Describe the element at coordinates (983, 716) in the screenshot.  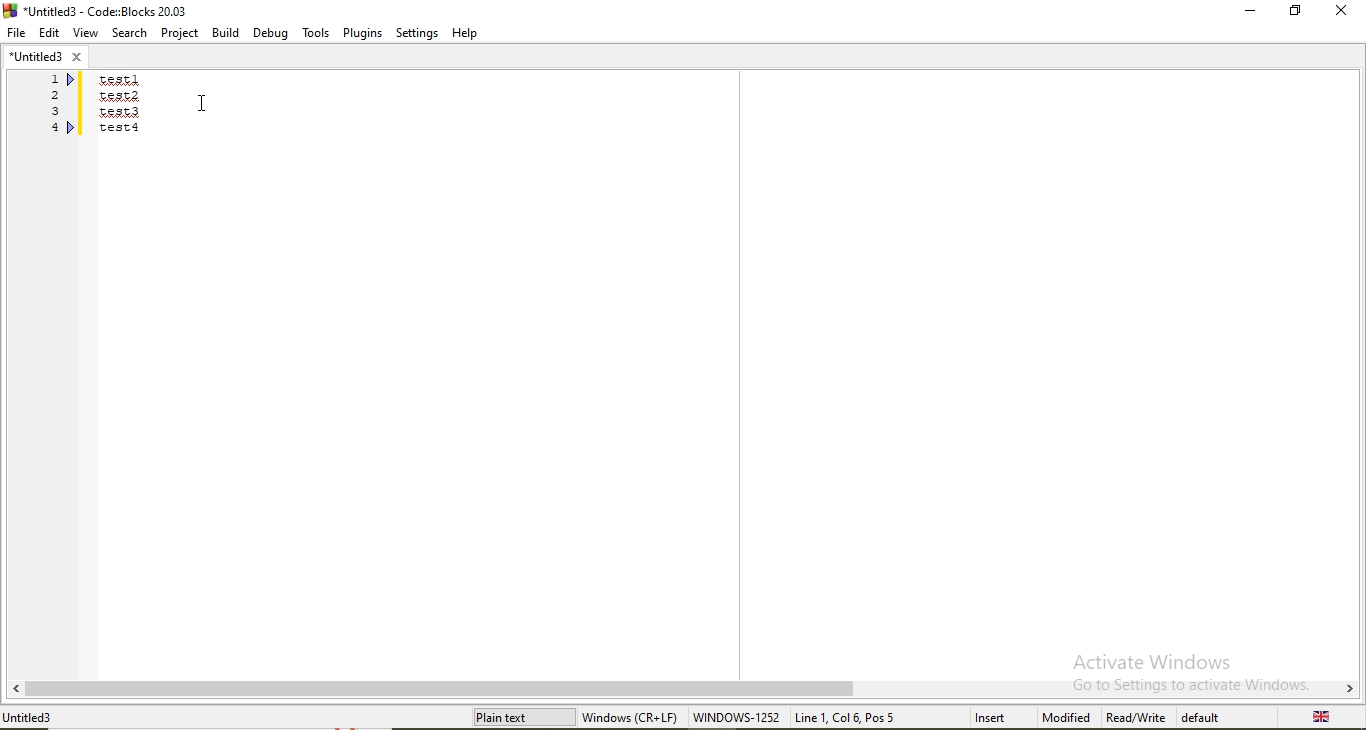
I see `insert` at that location.